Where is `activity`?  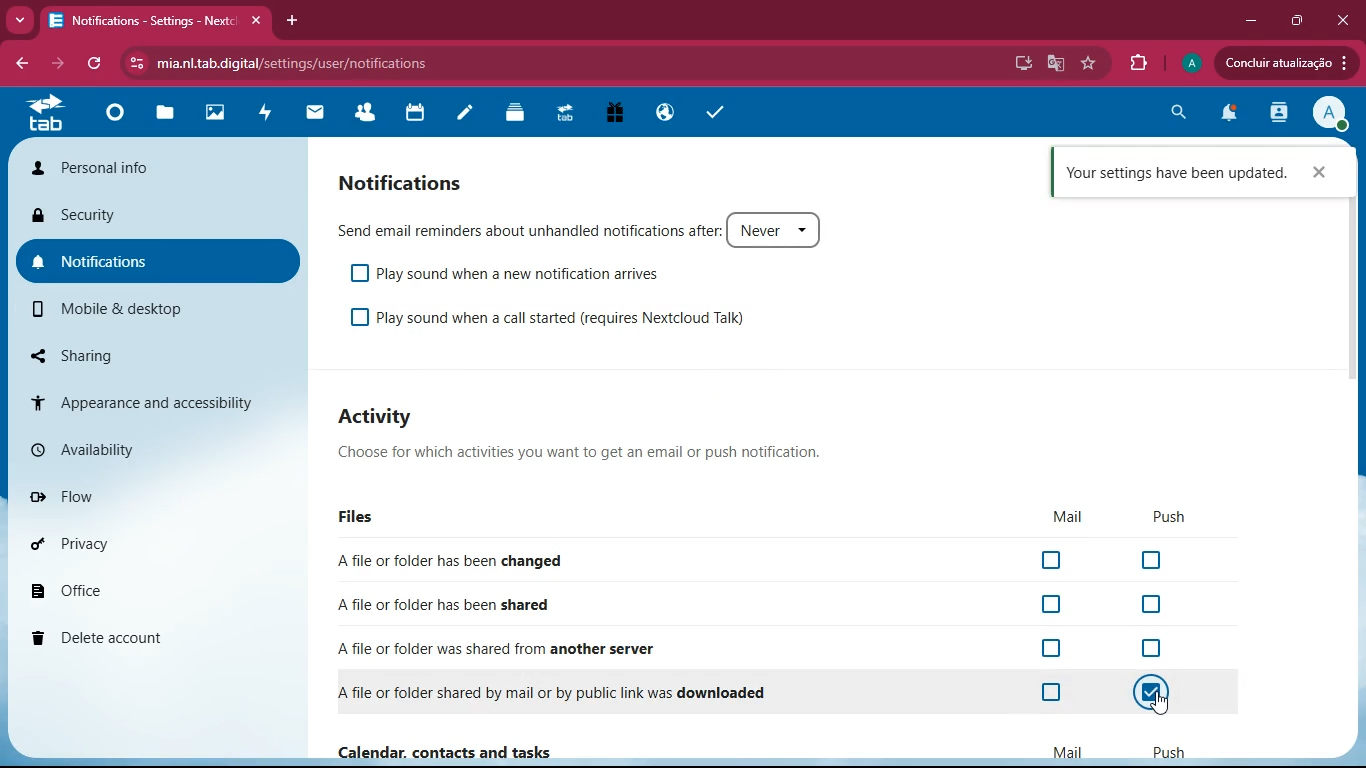
activity is located at coordinates (1279, 114).